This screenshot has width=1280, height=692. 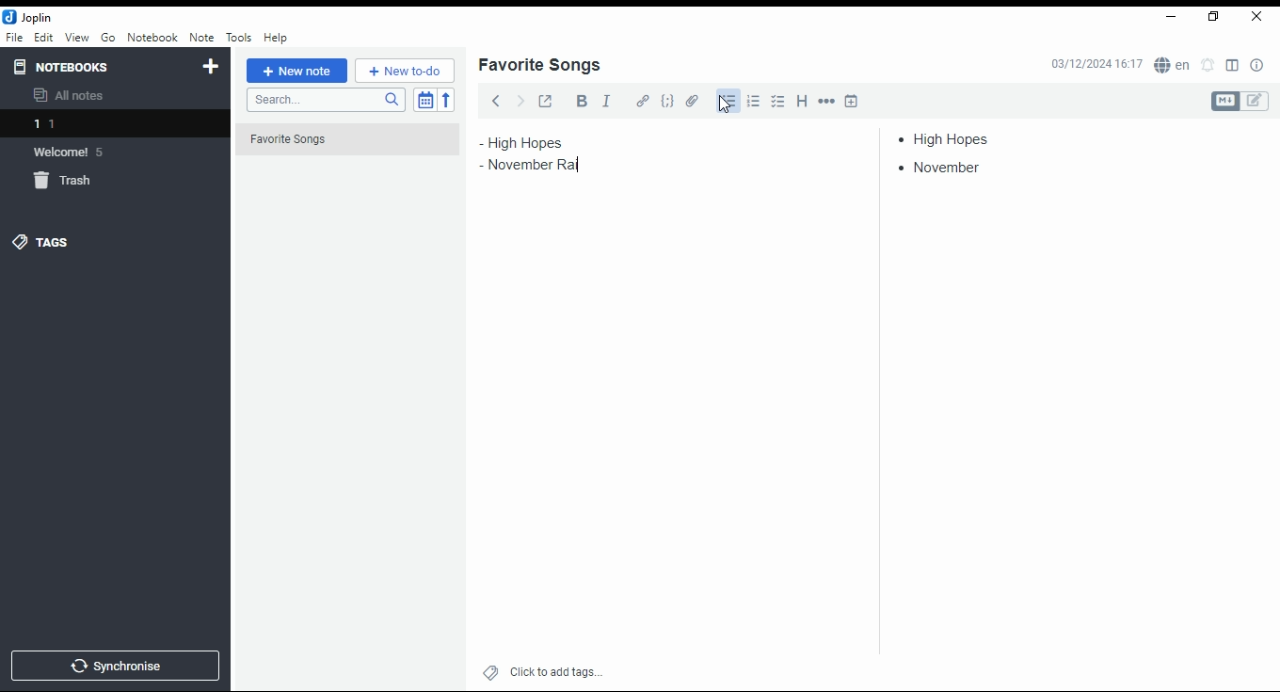 I want to click on click to add tags, so click(x=556, y=669).